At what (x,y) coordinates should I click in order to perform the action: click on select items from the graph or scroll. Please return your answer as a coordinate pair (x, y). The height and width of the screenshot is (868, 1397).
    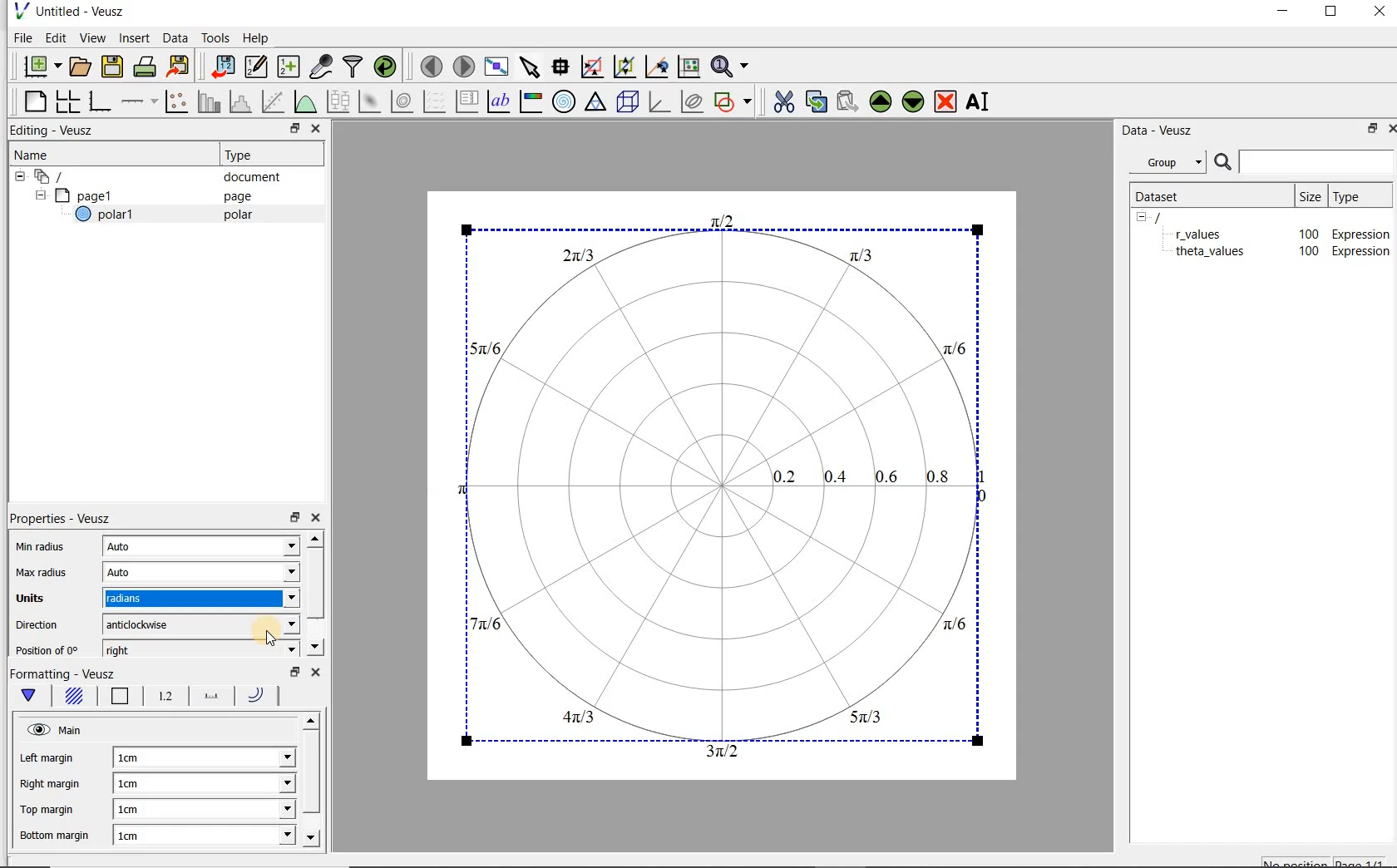
    Looking at the image, I should click on (529, 65).